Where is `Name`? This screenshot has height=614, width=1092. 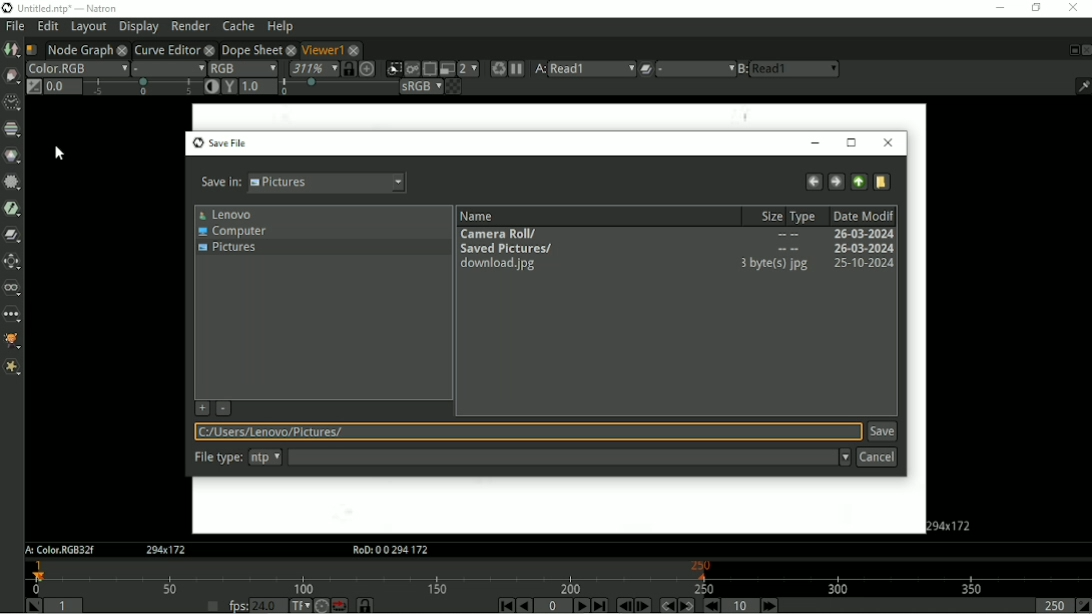
Name is located at coordinates (477, 216).